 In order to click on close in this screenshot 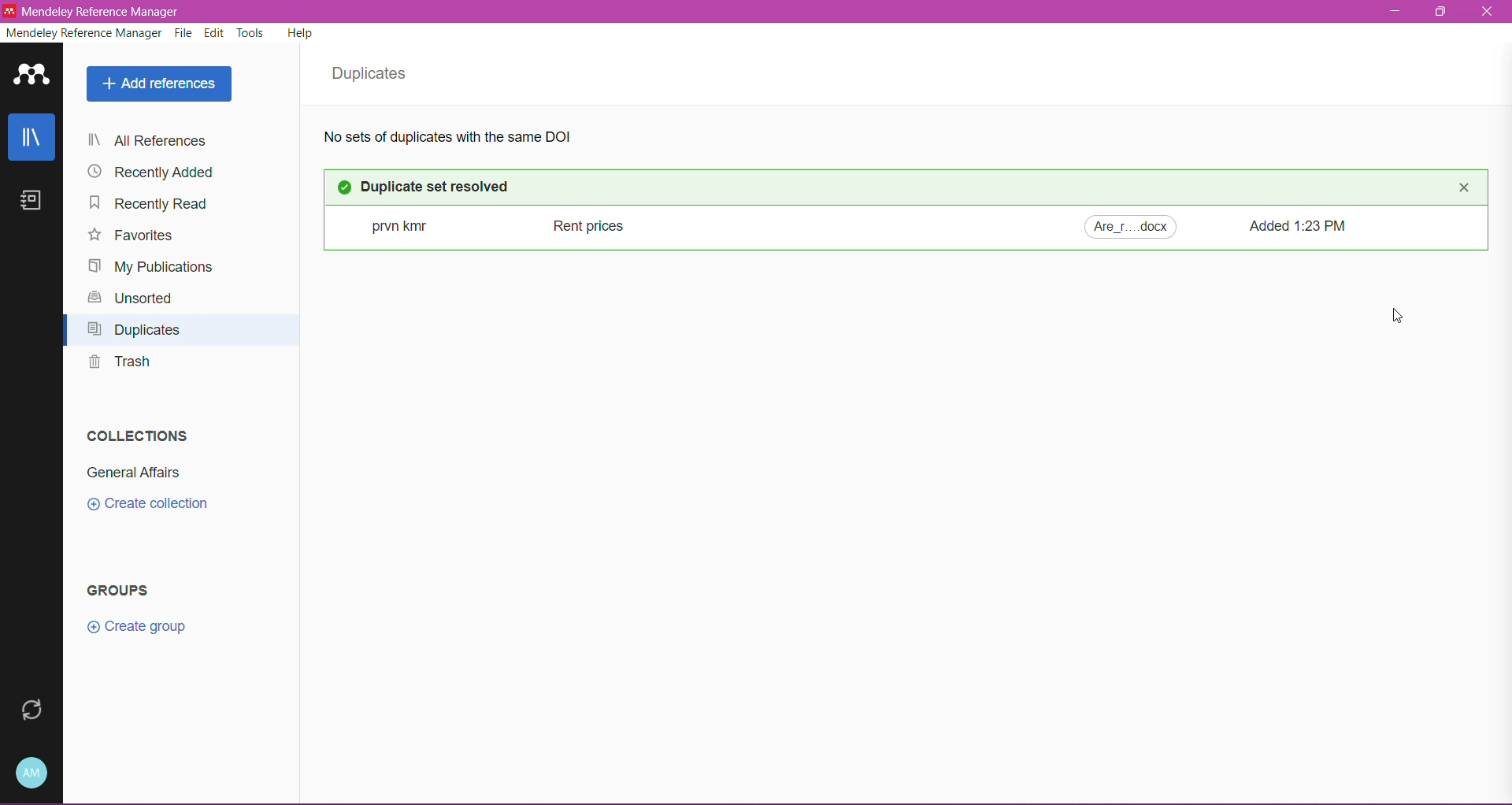, I will do `click(1466, 188)`.